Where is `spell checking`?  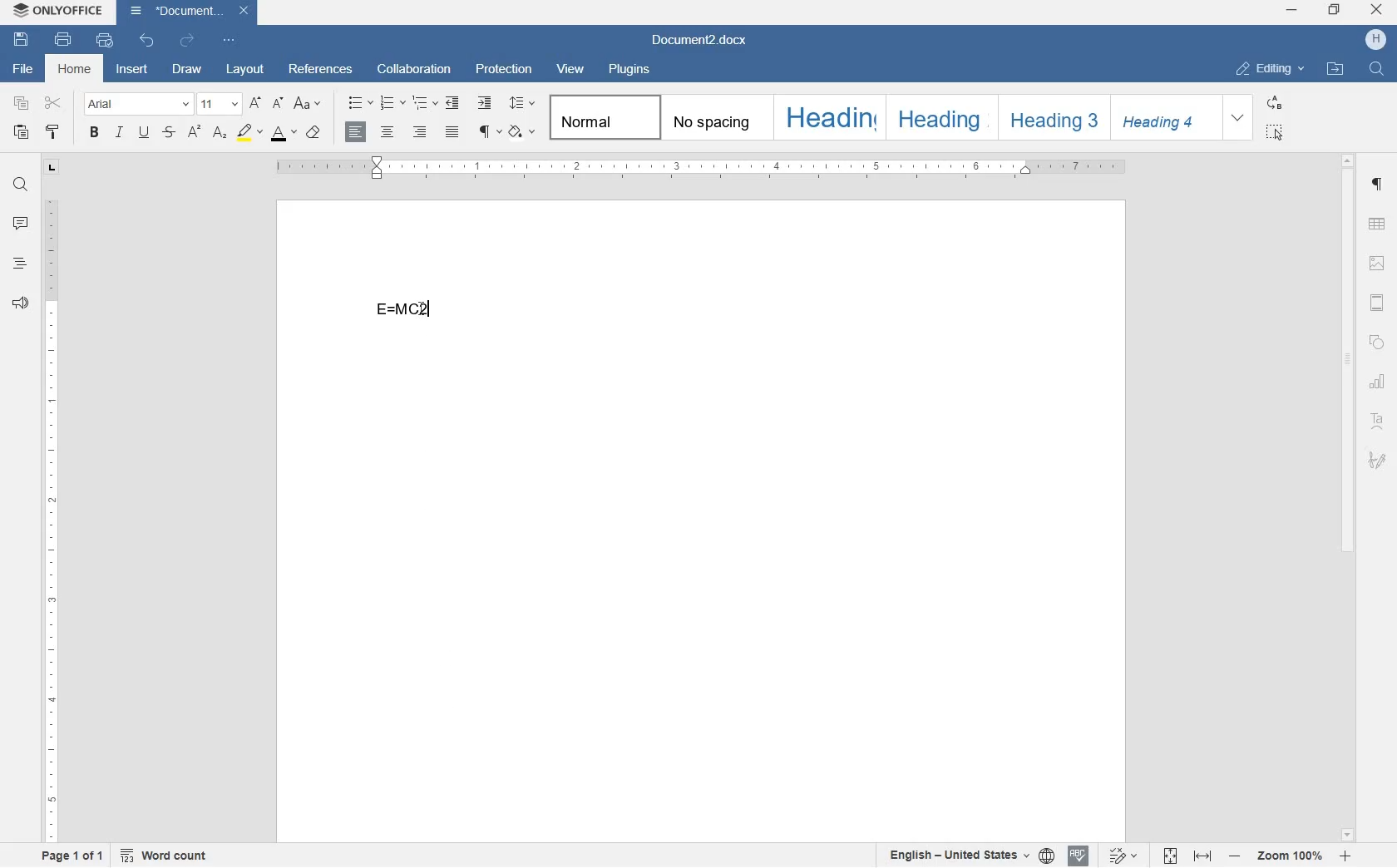
spell checking is located at coordinates (1077, 856).